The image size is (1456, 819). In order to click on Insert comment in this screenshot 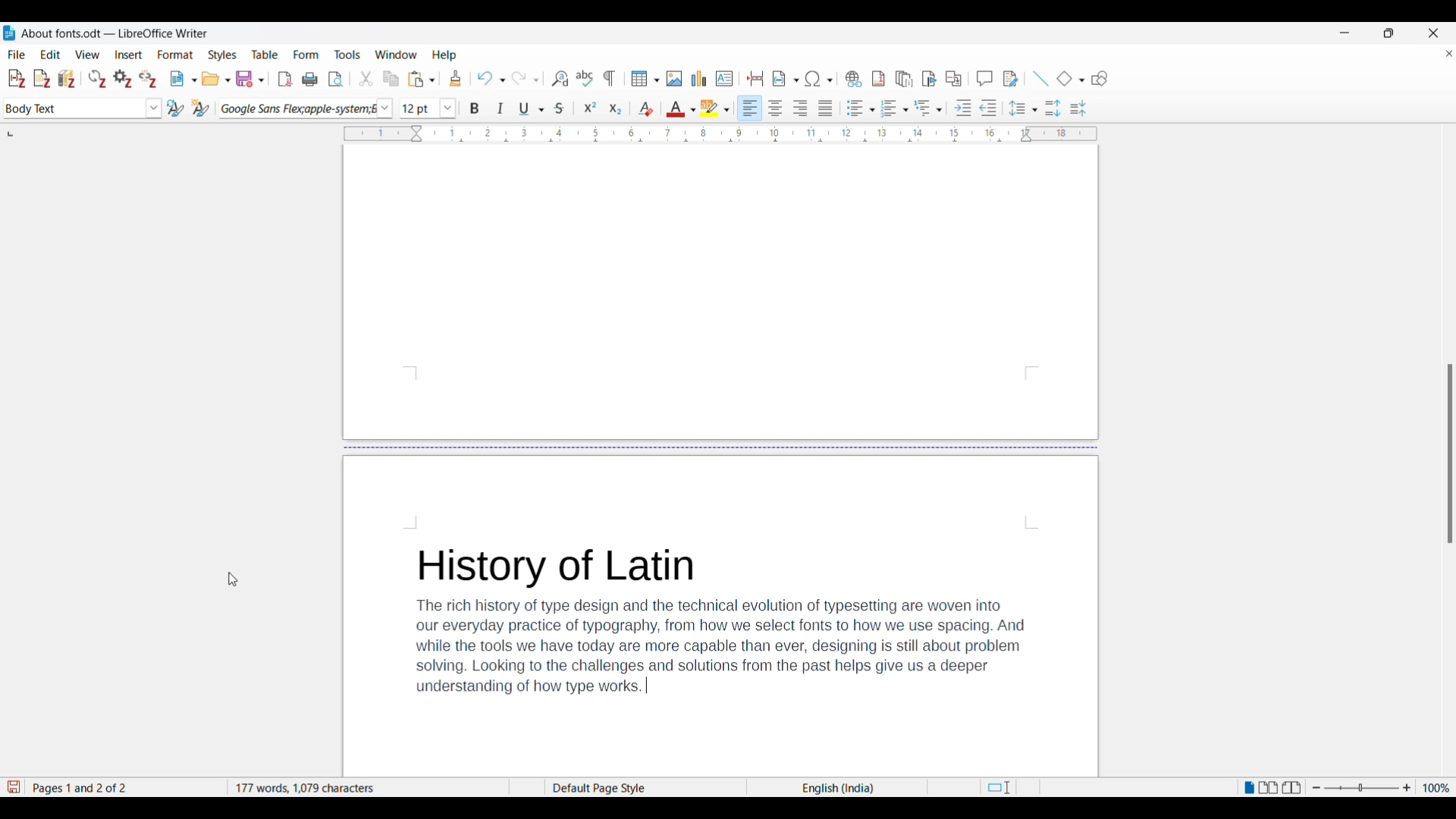, I will do `click(984, 78)`.